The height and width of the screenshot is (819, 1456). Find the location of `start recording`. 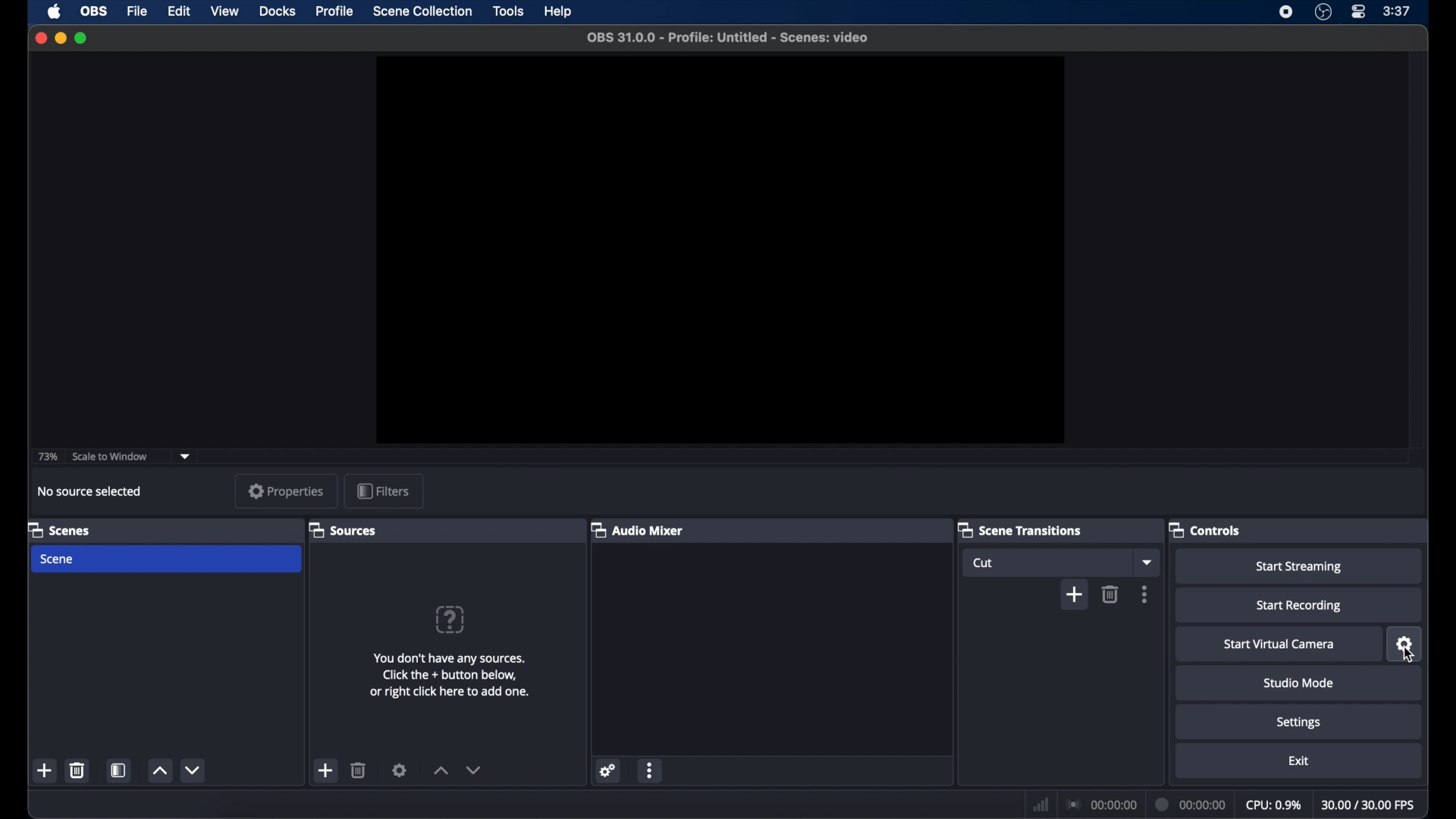

start recording is located at coordinates (1298, 606).